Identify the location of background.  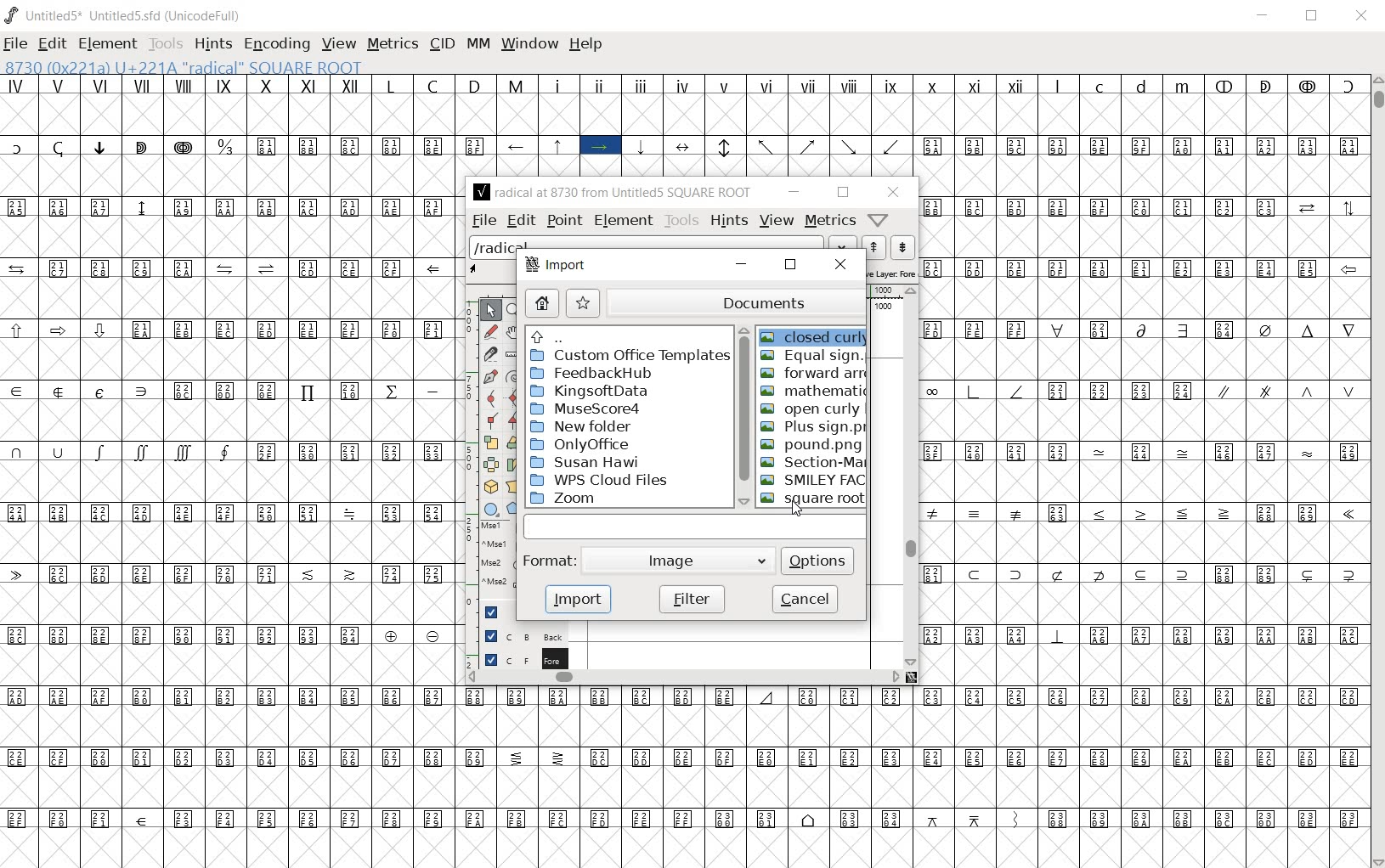
(516, 636).